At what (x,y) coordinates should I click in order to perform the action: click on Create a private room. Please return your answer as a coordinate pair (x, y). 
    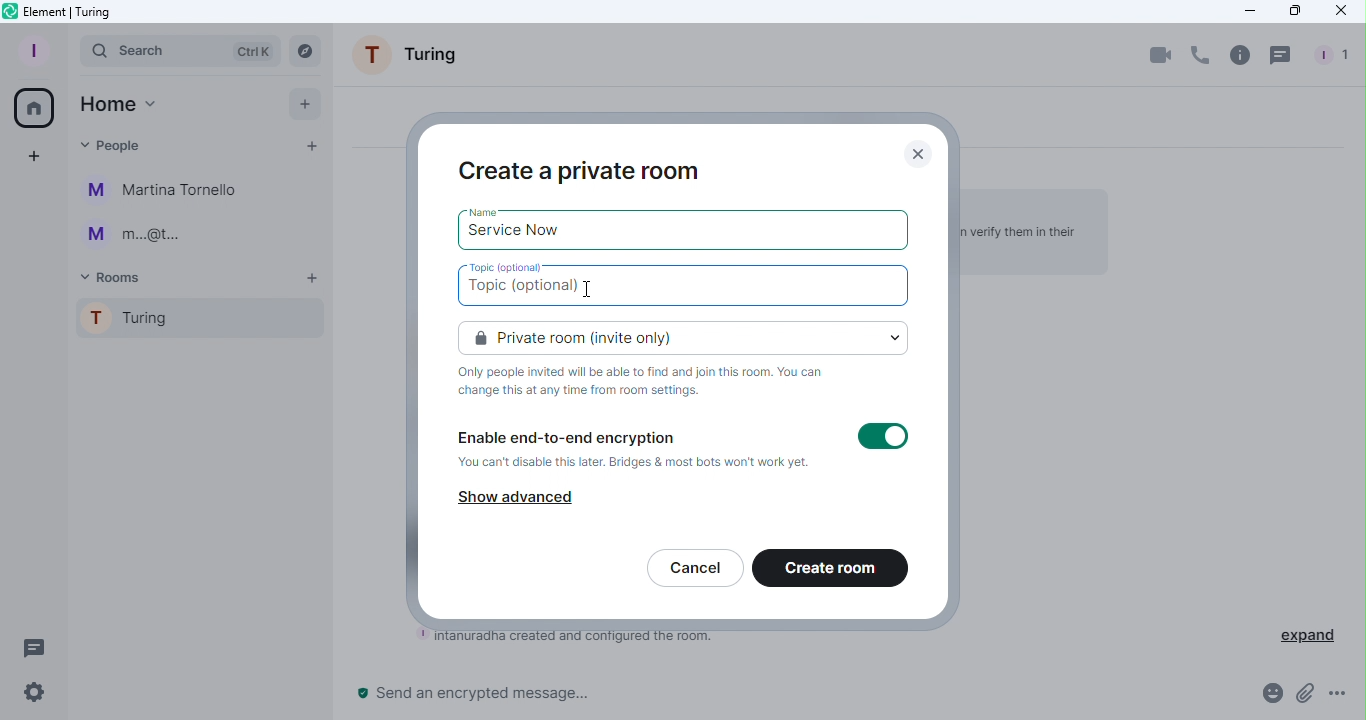
    Looking at the image, I should click on (582, 169).